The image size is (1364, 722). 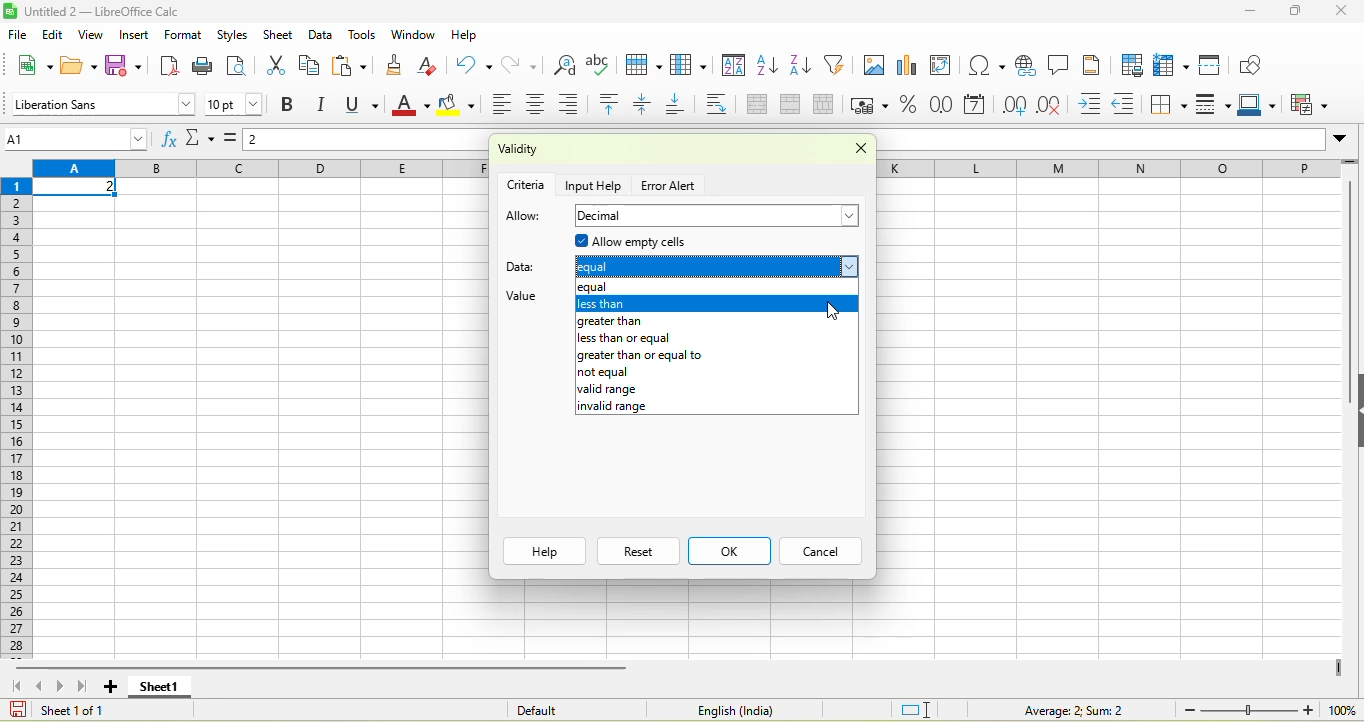 What do you see at coordinates (33, 64) in the screenshot?
I see `new` at bounding box center [33, 64].